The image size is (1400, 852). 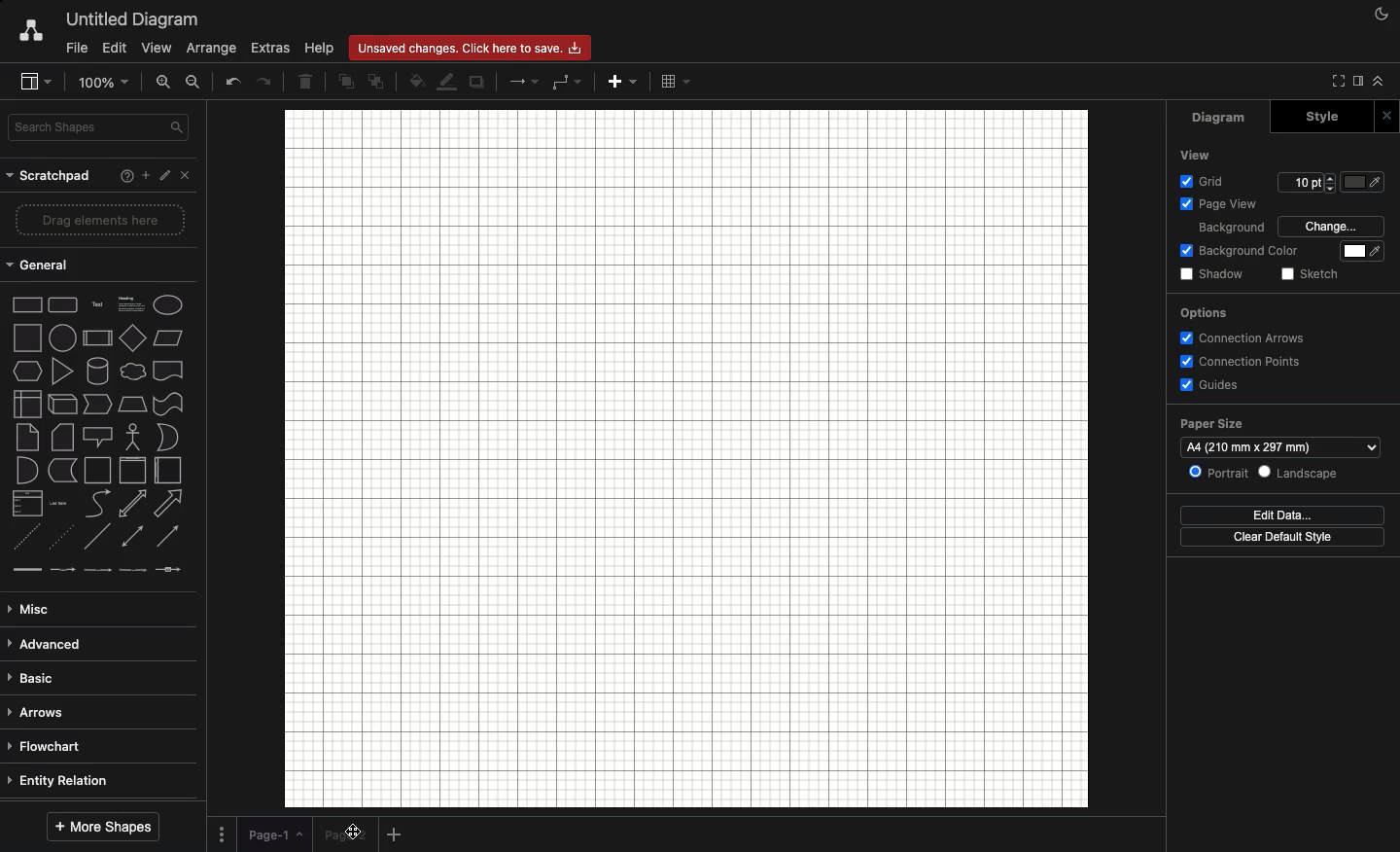 What do you see at coordinates (115, 174) in the screenshot?
I see `Help` at bounding box center [115, 174].